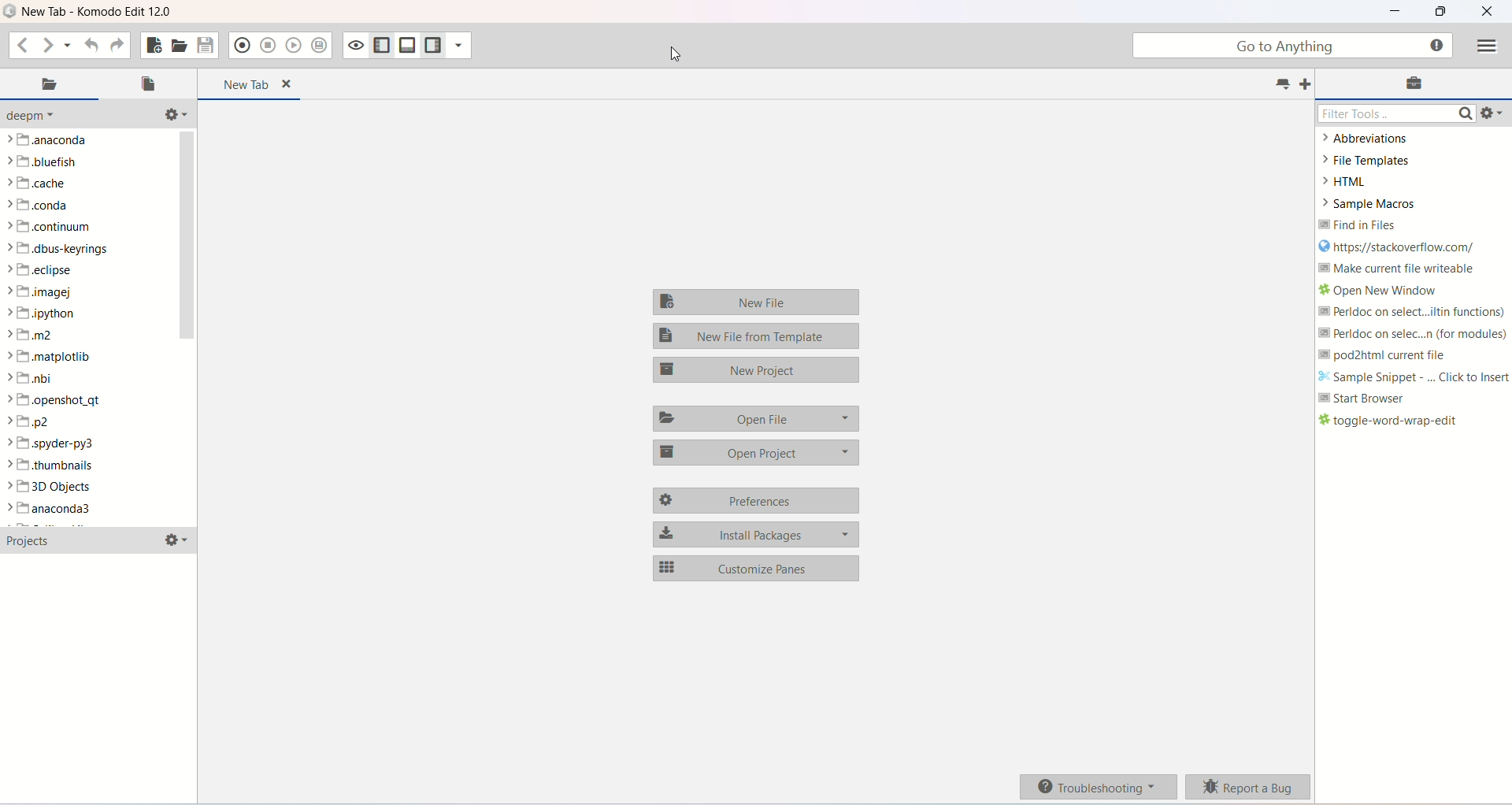 The width and height of the screenshot is (1512, 805). What do you see at coordinates (241, 46) in the screenshot?
I see `record macro` at bounding box center [241, 46].